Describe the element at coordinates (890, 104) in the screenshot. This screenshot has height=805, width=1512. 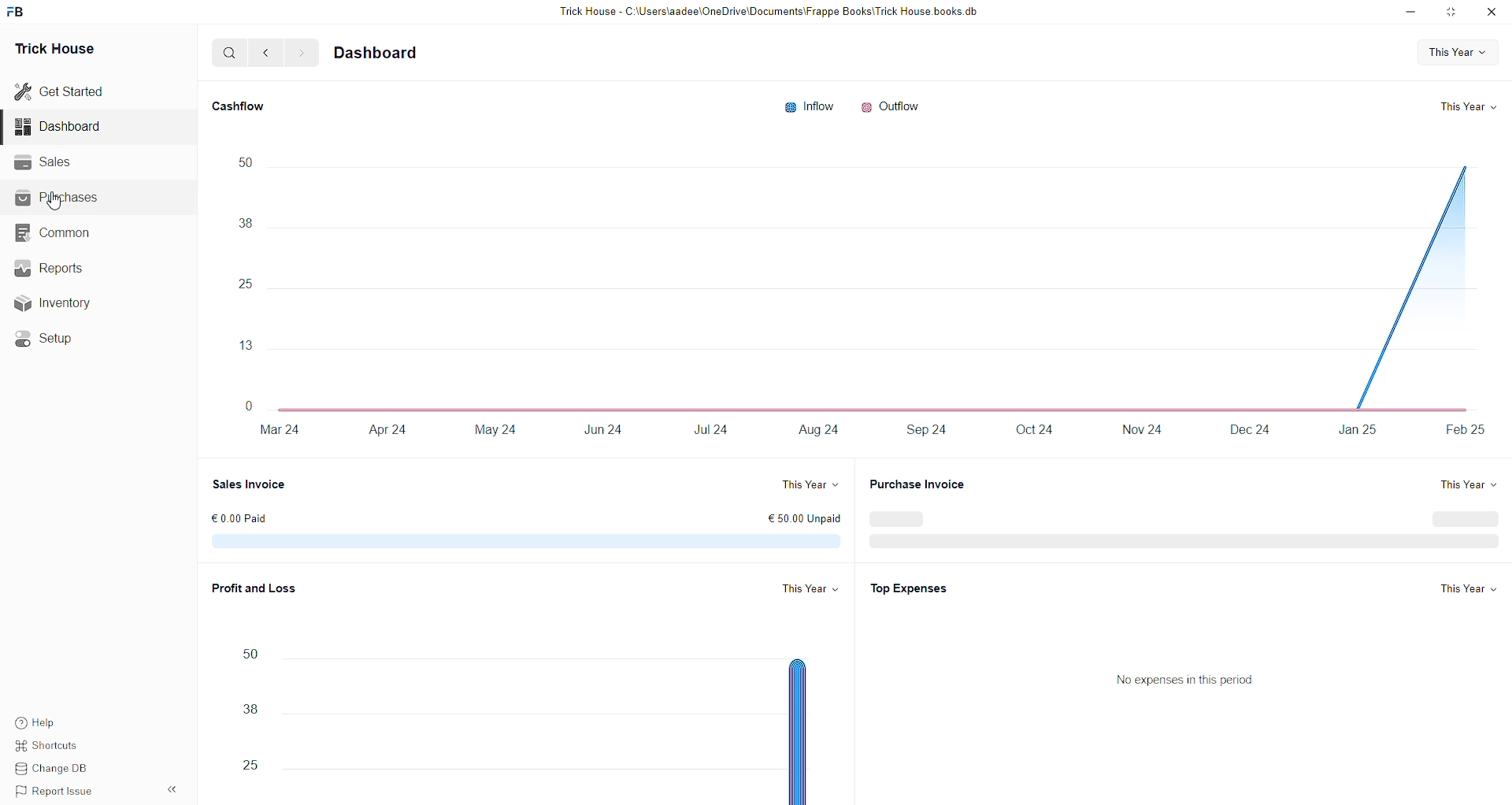
I see `Outflow` at that location.